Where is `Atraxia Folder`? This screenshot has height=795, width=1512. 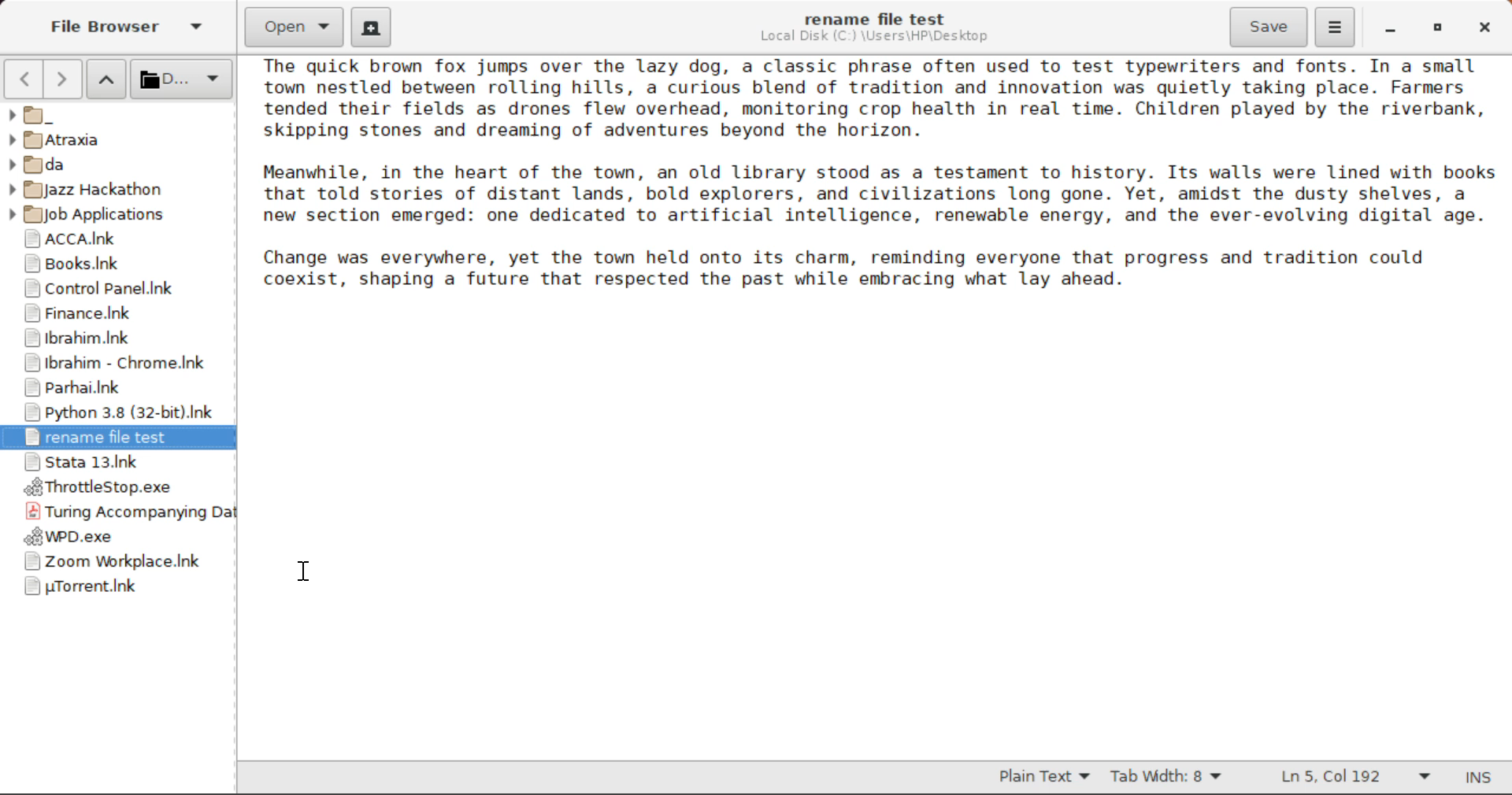 Atraxia Folder is located at coordinates (117, 139).